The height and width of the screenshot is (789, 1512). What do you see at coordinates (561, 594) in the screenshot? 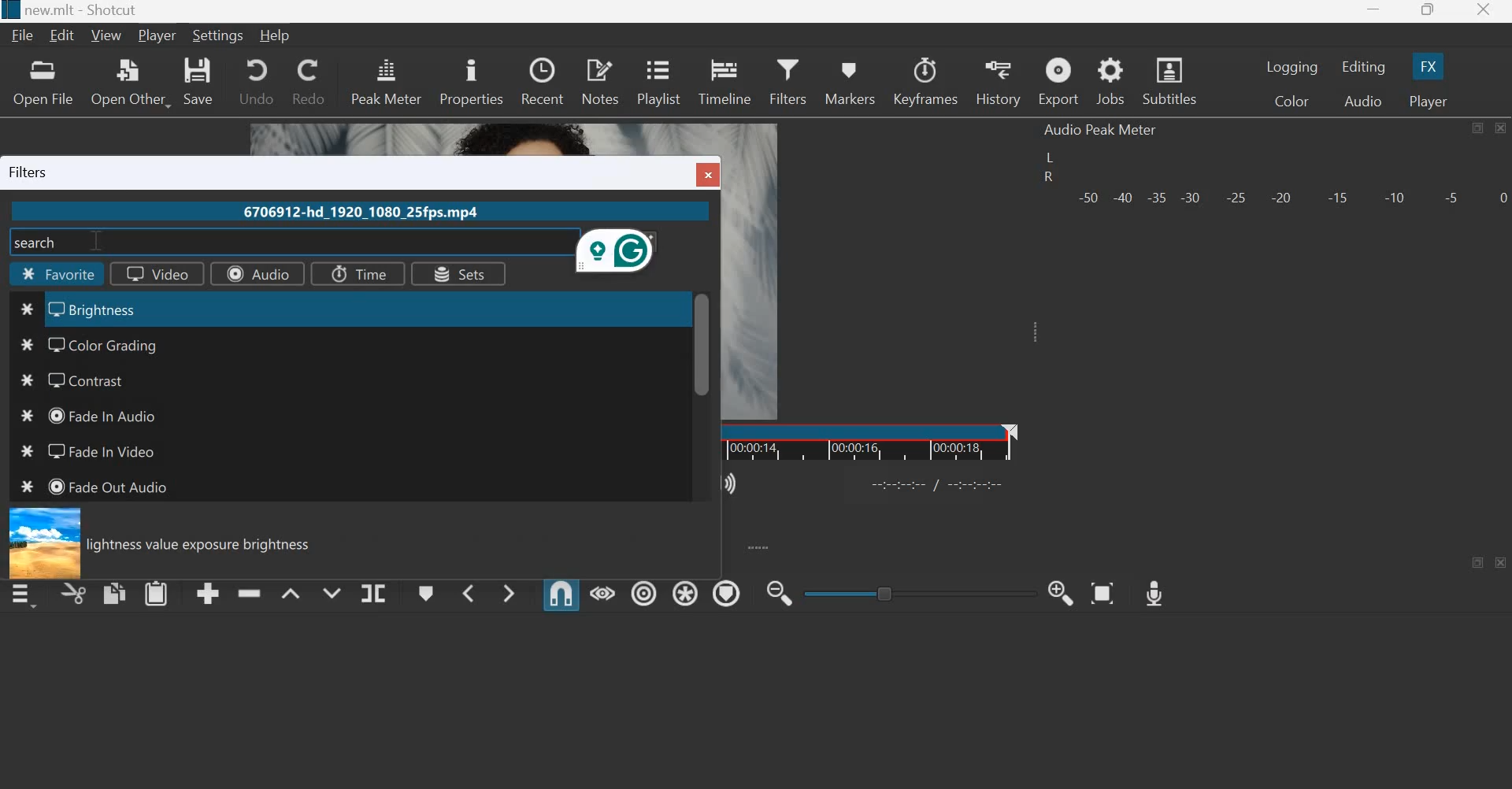
I see `Snap` at bounding box center [561, 594].